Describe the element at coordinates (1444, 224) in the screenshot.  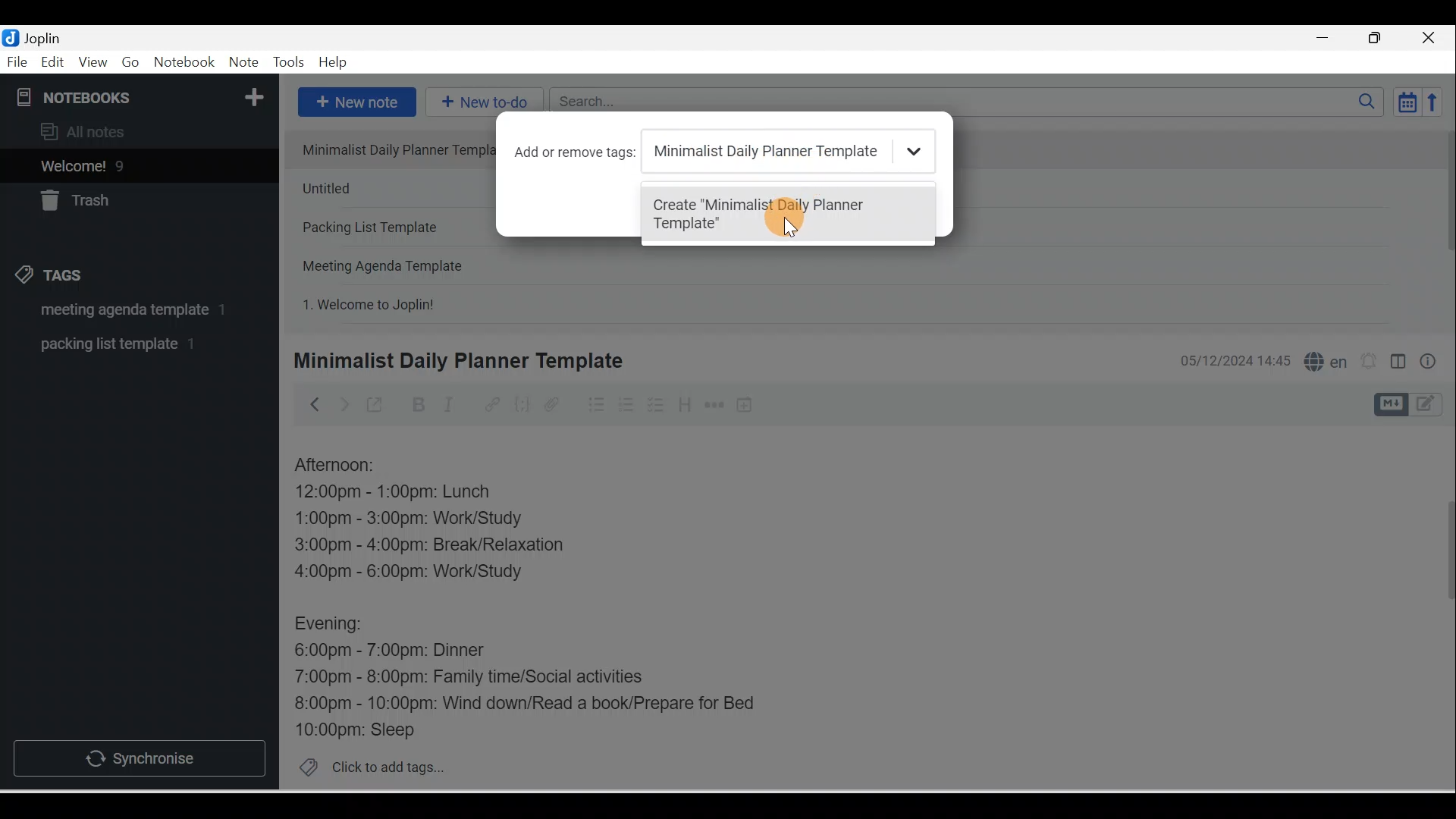
I see `Scroll bar` at that location.